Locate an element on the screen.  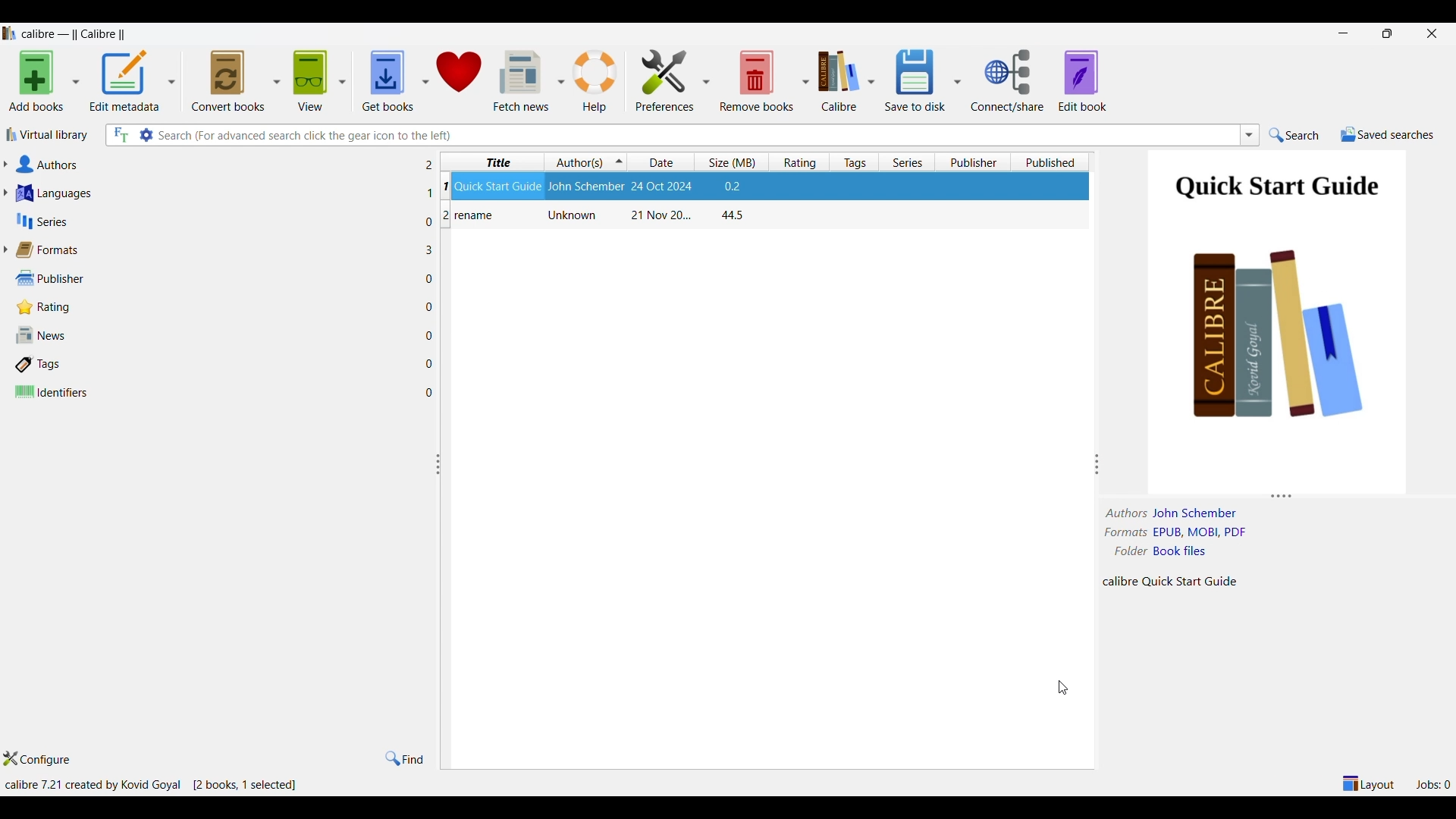
Change width of panels attached to this line is located at coordinates (1097, 437).